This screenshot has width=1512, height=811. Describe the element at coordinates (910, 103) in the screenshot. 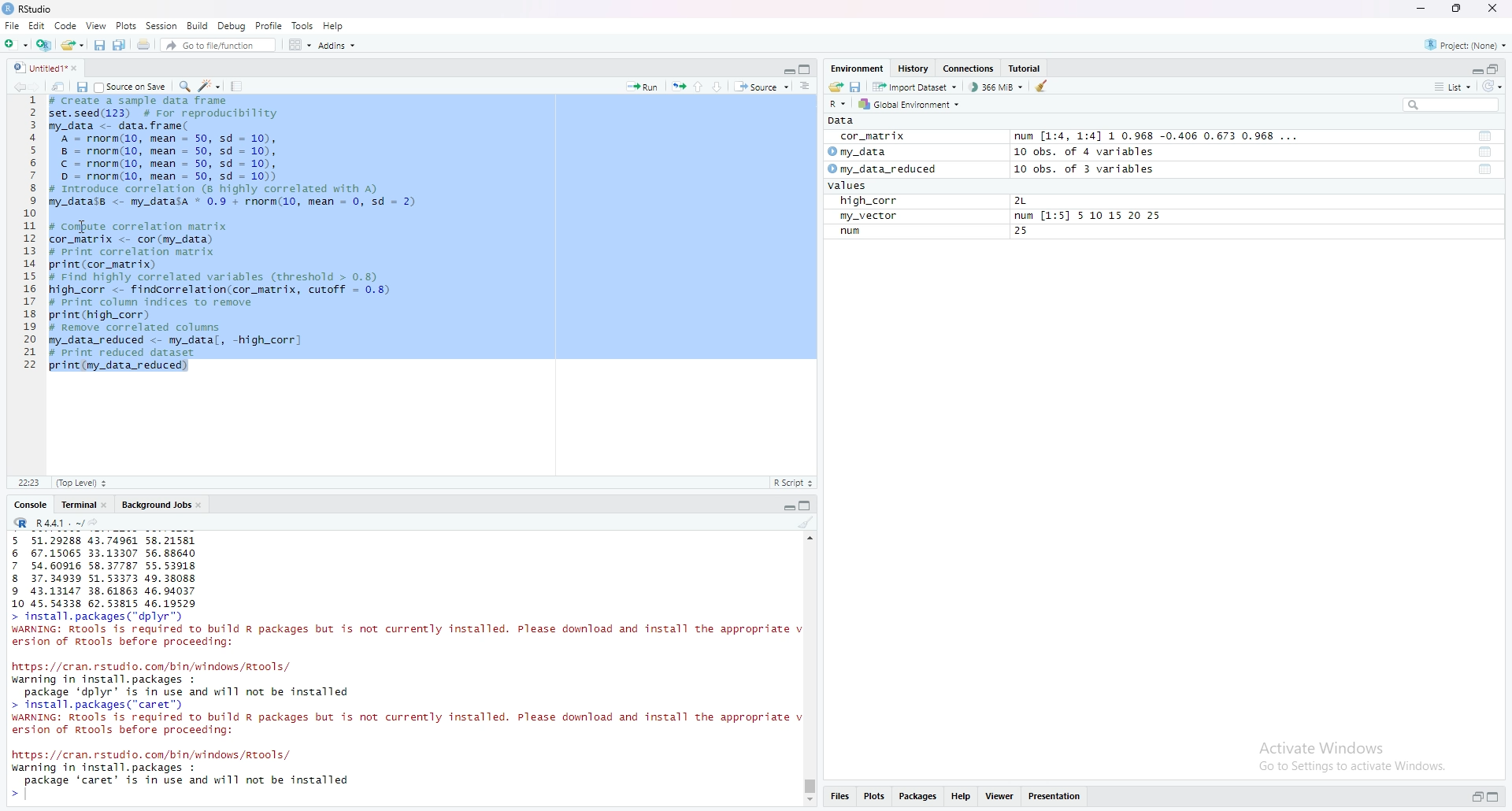

I see `Global Environment ` at that location.